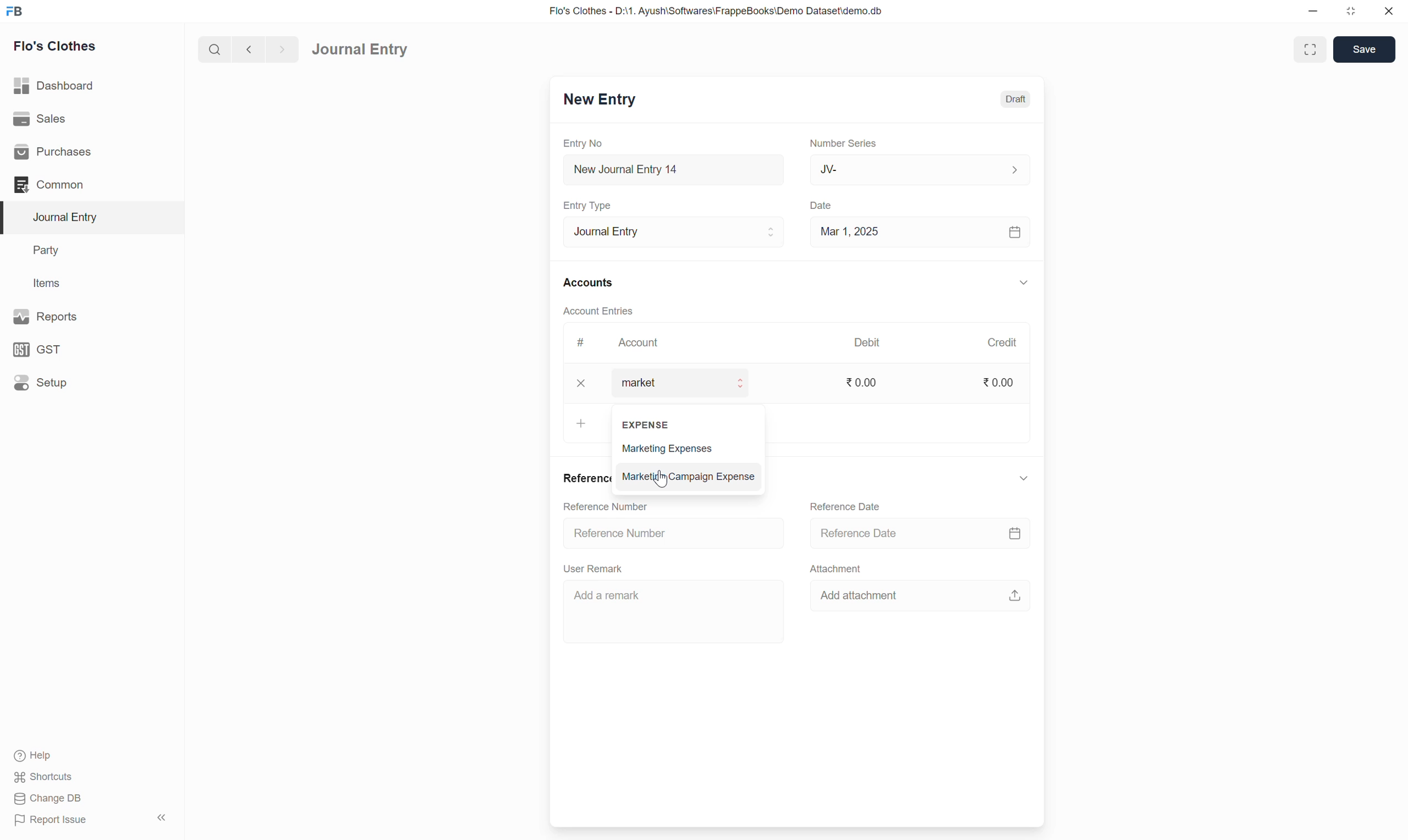 This screenshot has width=1408, height=840. What do you see at coordinates (161, 818) in the screenshot?
I see `<<` at bounding box center [161, 818].